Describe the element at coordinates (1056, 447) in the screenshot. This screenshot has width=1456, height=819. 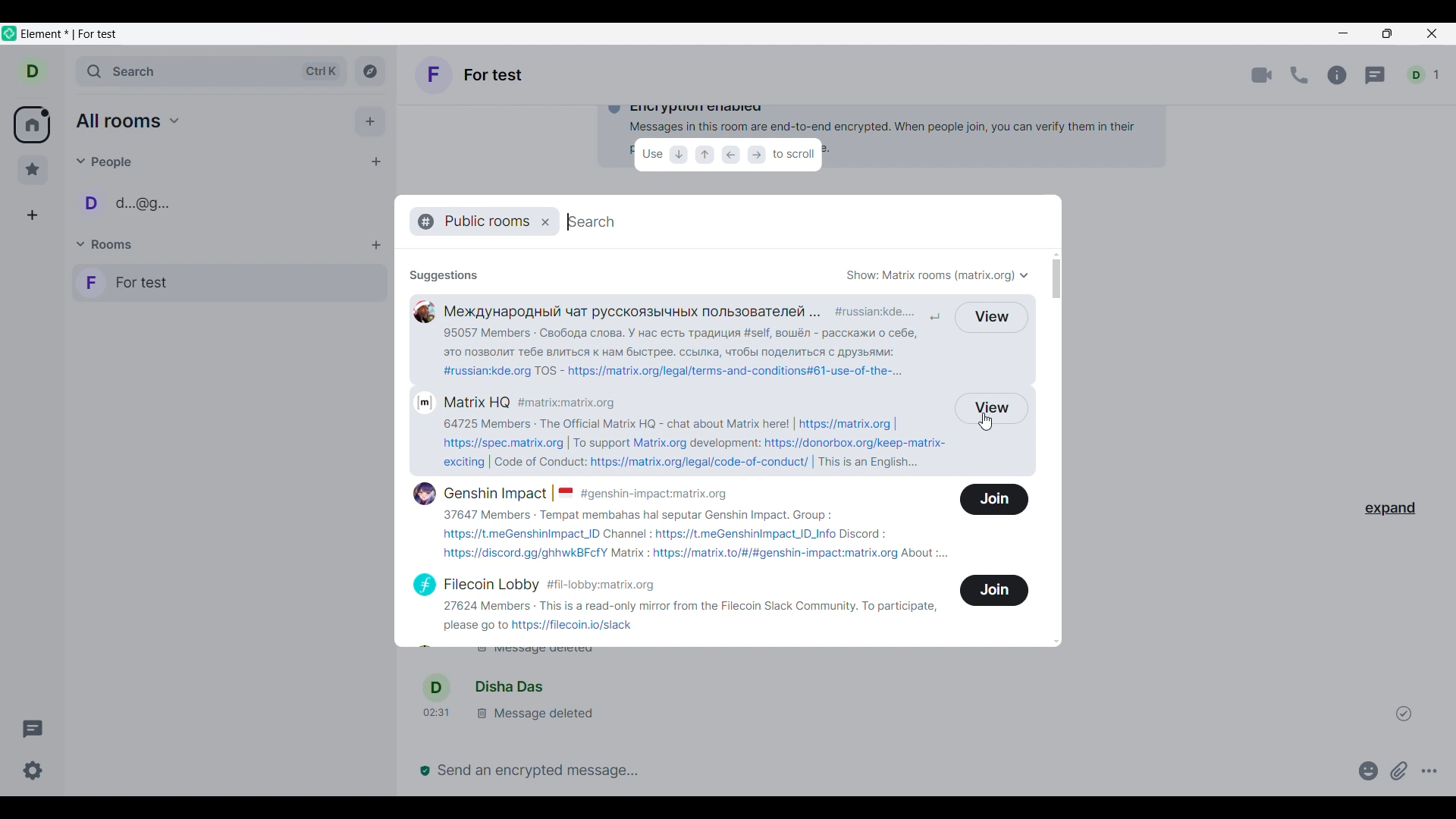
I see `Vertical slide bar` at that location.